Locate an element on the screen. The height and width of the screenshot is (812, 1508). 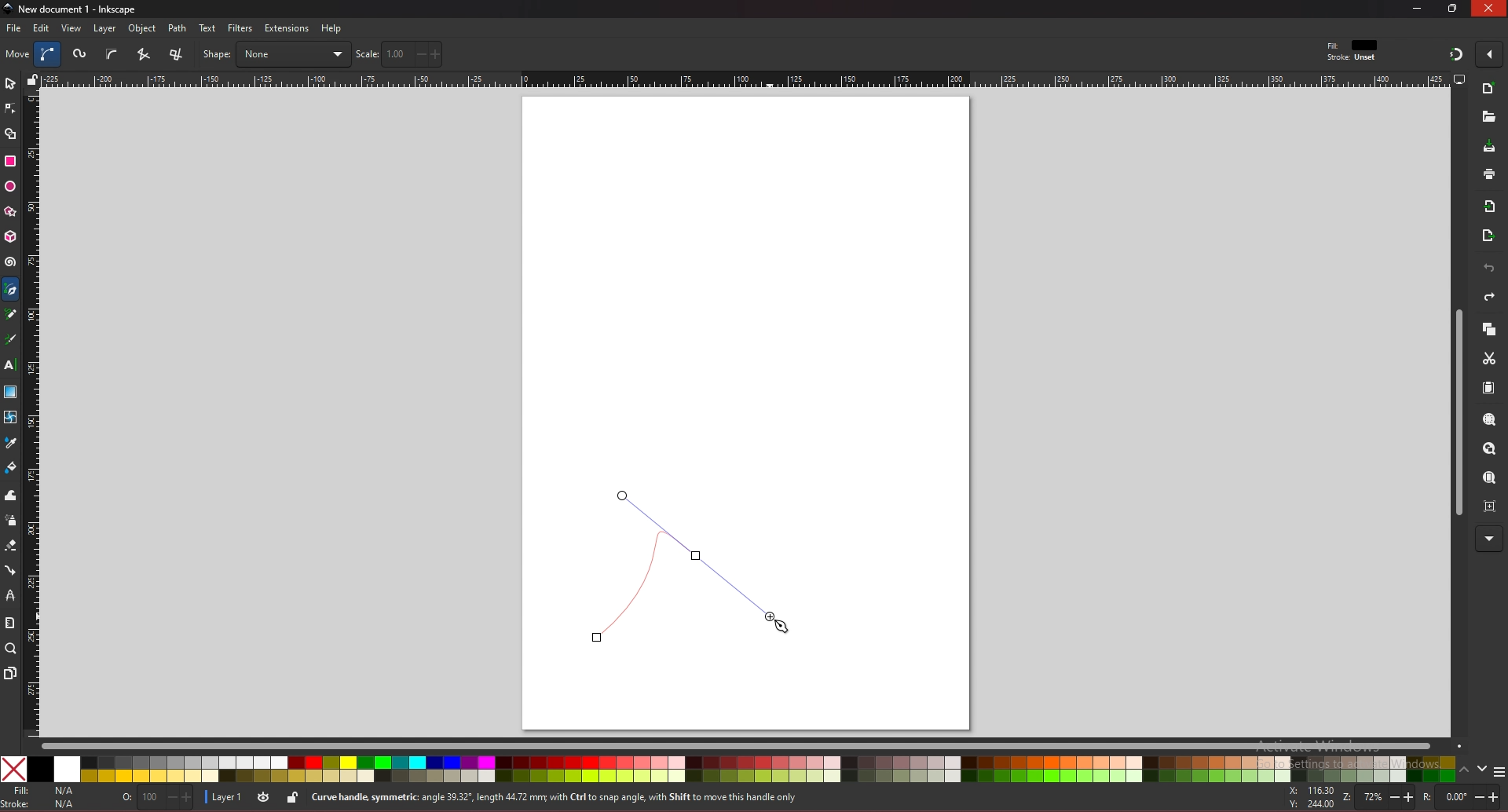
x and y coordinates is located at coordinates (1310, 797).